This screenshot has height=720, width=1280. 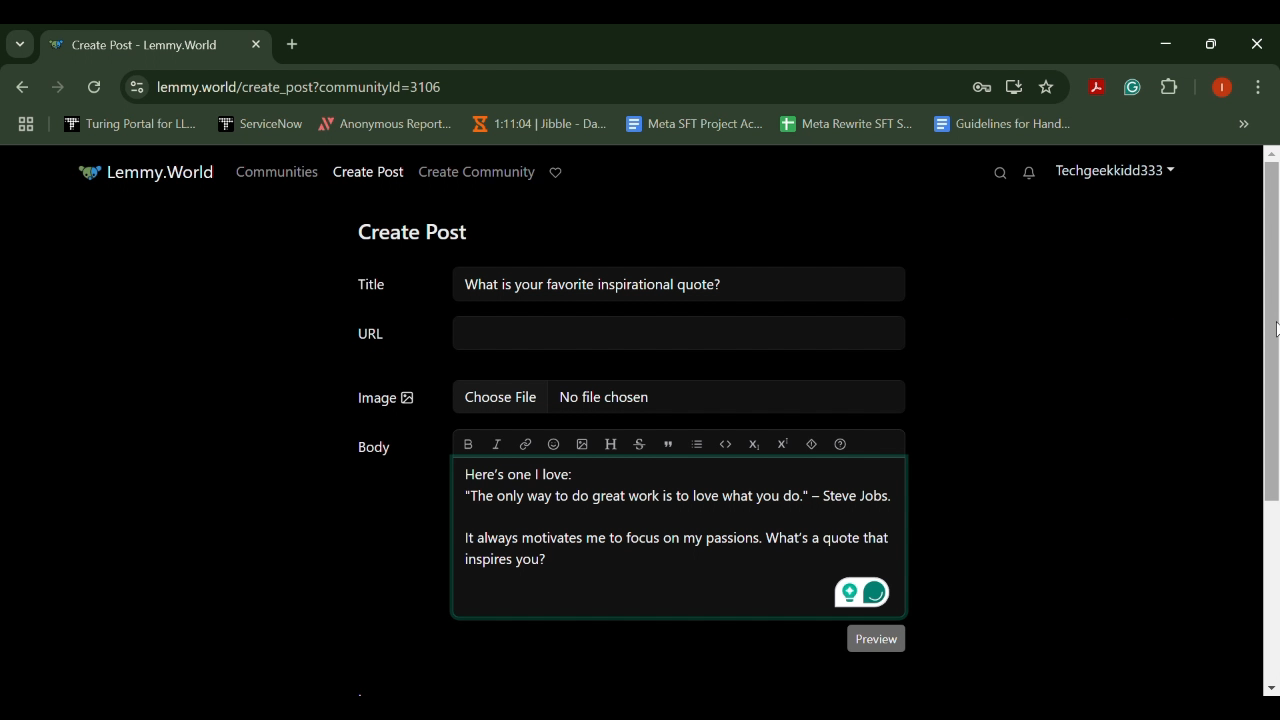 What do you see at coordinates (1096, 88) in the screenshot?
I see `Acrobat Extension` at bounding box center [1096, 88].